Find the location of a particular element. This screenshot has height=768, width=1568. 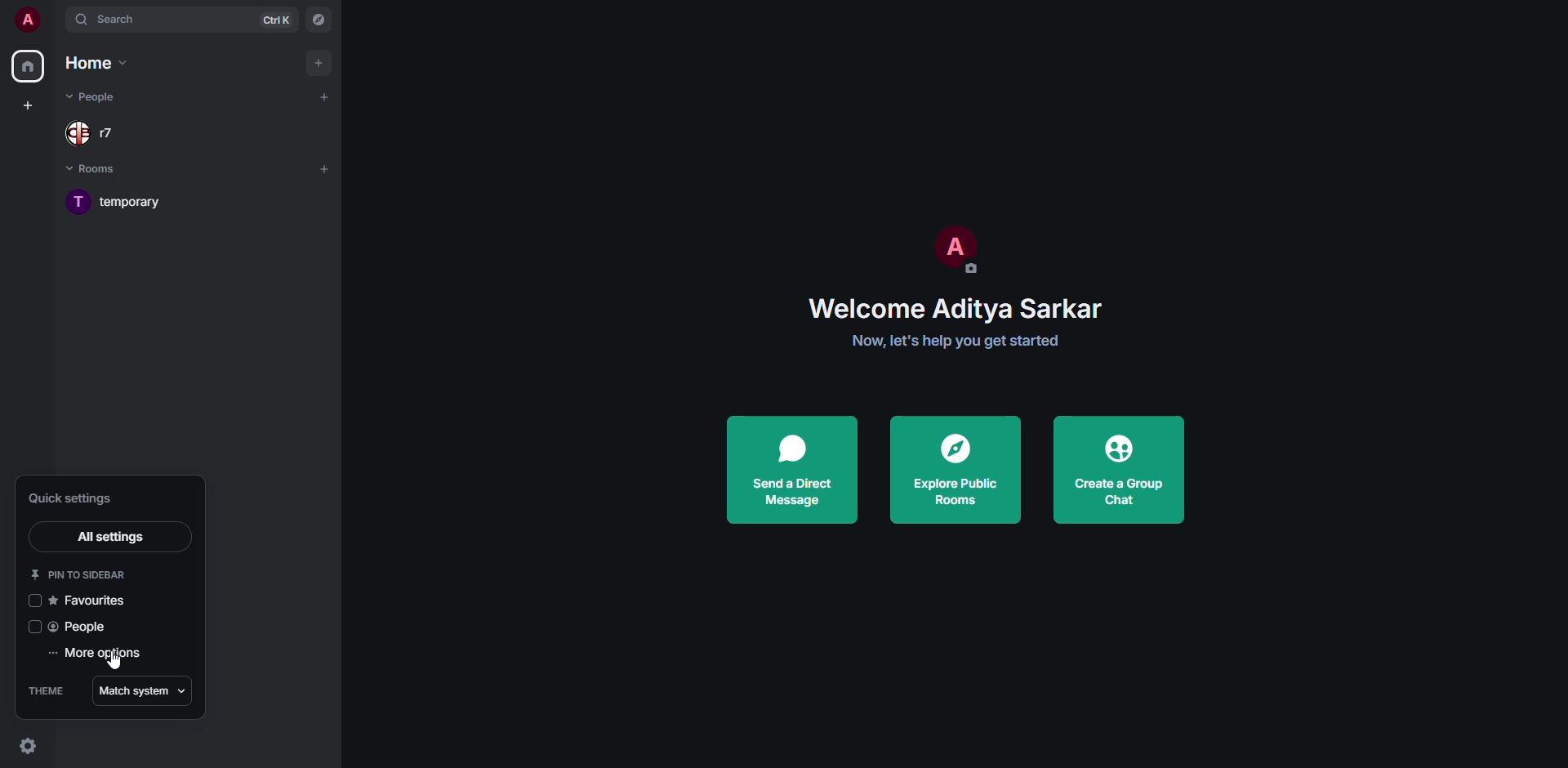

quick settings is located at coordinates (80, 496).